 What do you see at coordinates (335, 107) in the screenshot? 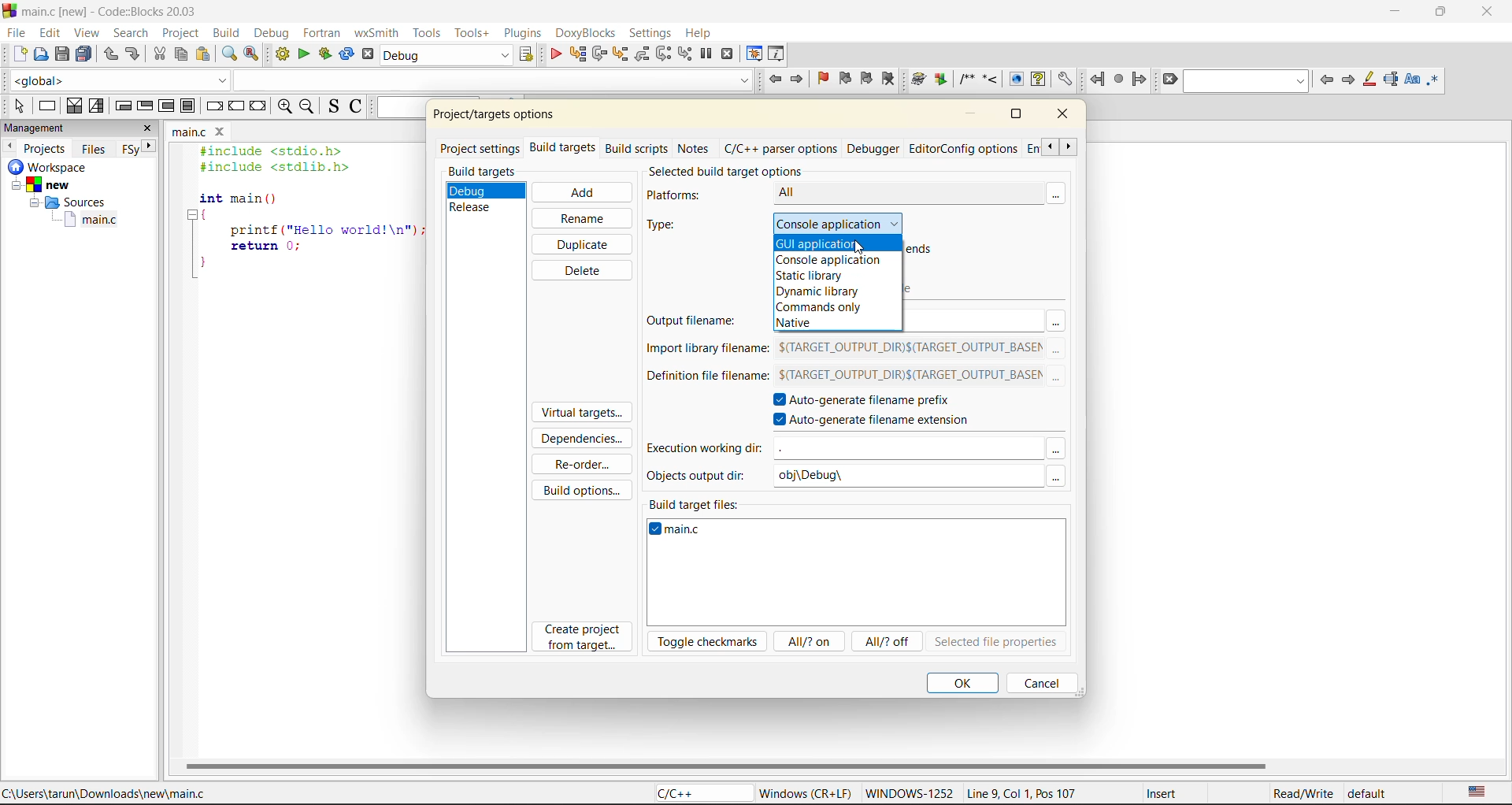
I see `toggle source` at bounding box center [335, 107].